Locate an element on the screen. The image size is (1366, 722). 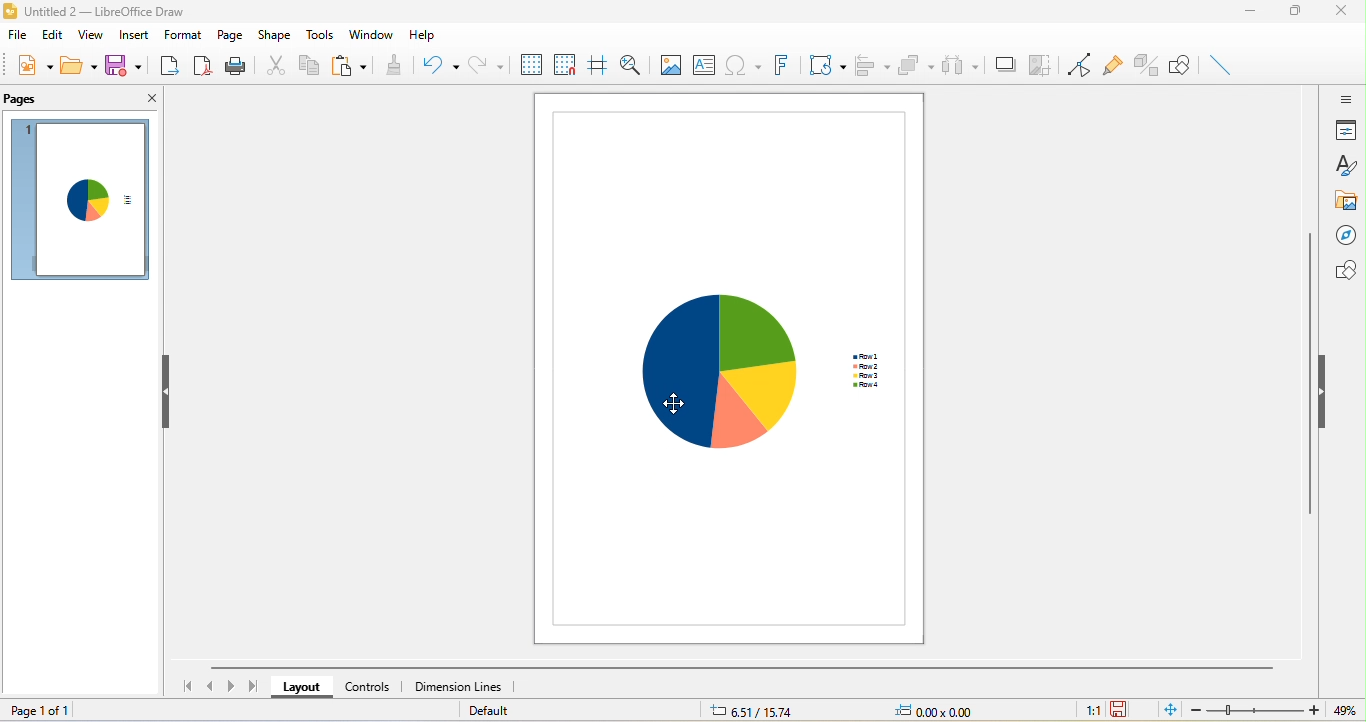
toggle point edit mode is located at coordinates (1080, 65).